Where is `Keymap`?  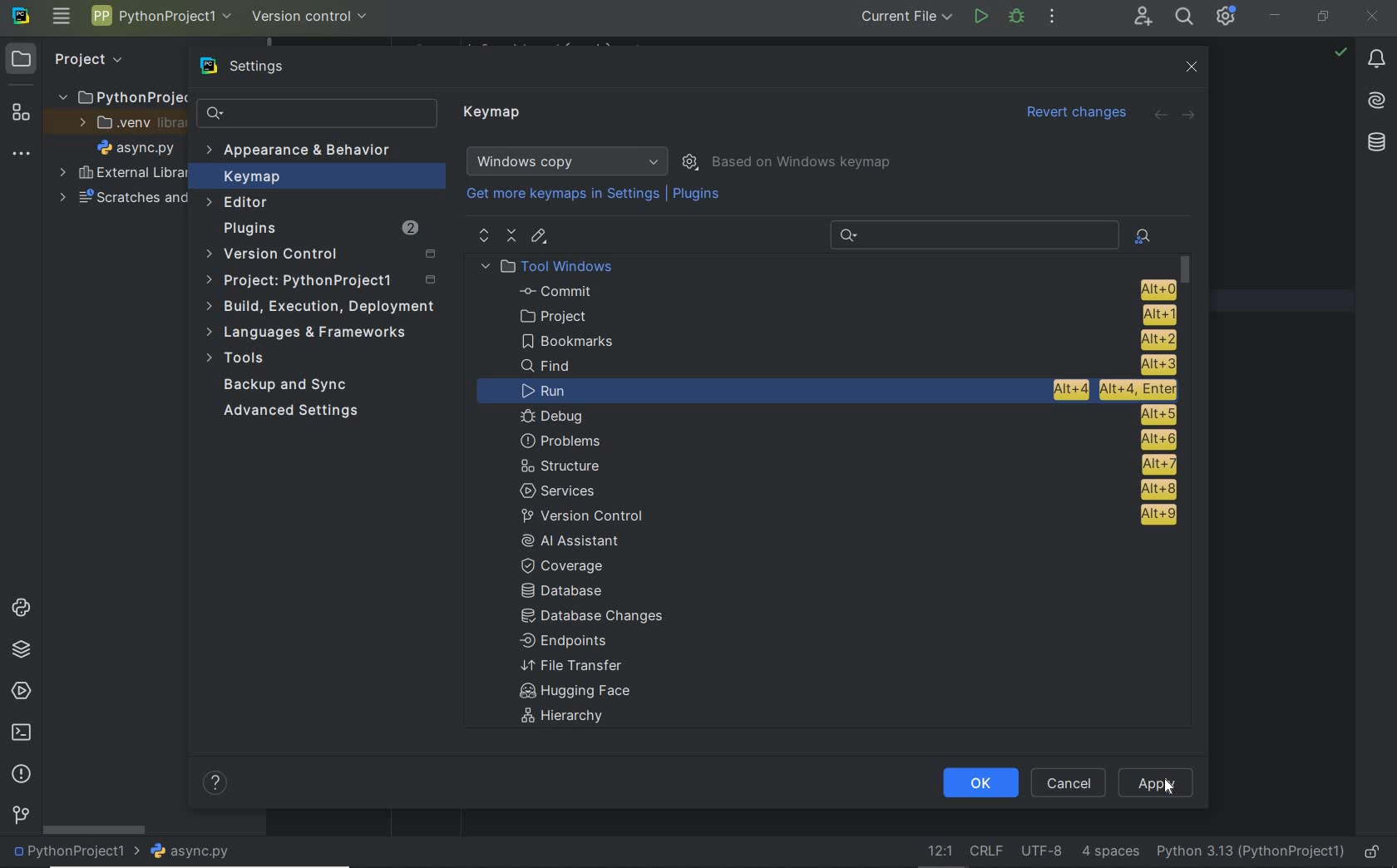
Keymap is located at coordinates (495, 115).